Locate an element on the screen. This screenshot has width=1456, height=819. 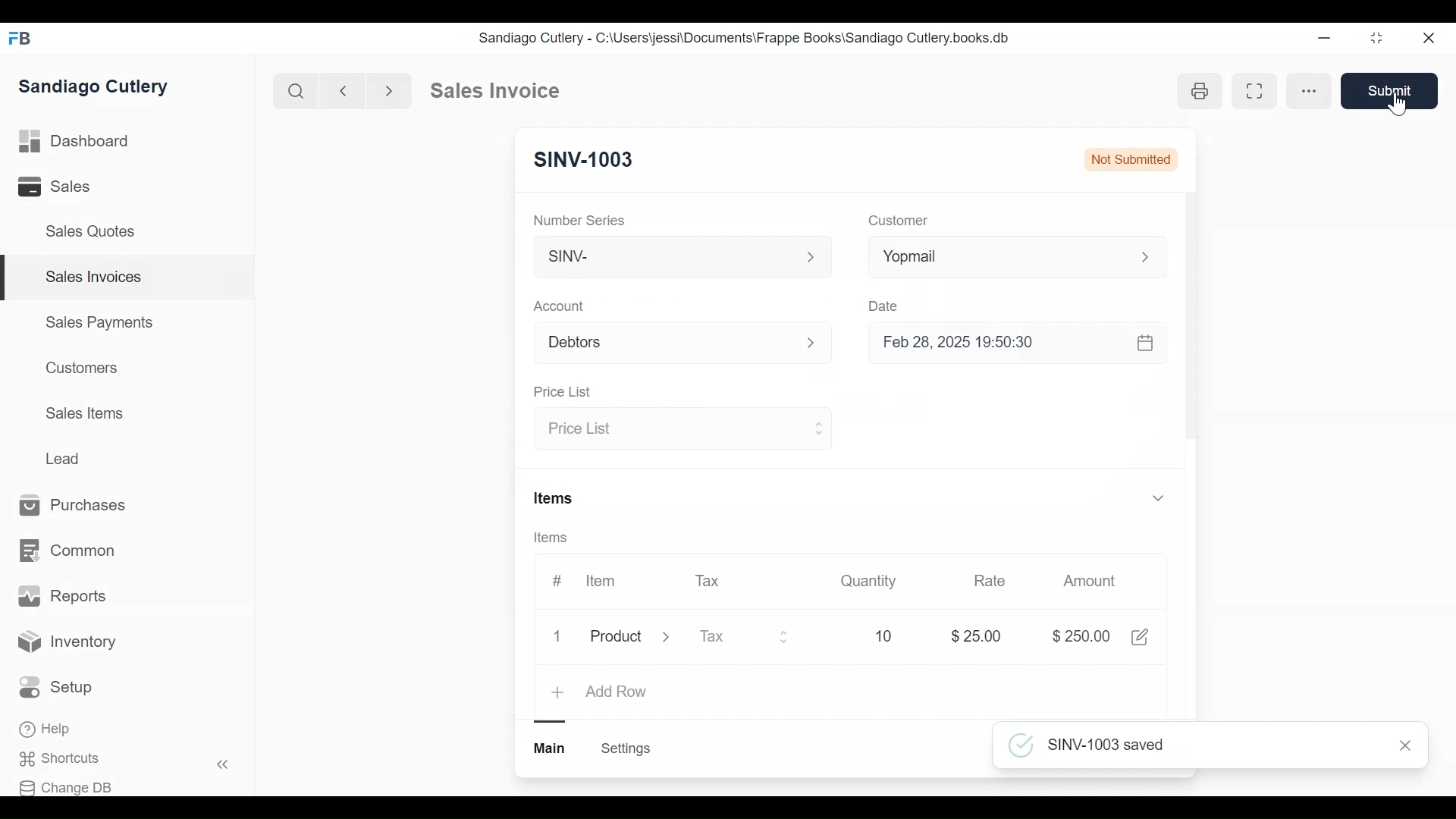
close is located at coordinates (1430, 39).